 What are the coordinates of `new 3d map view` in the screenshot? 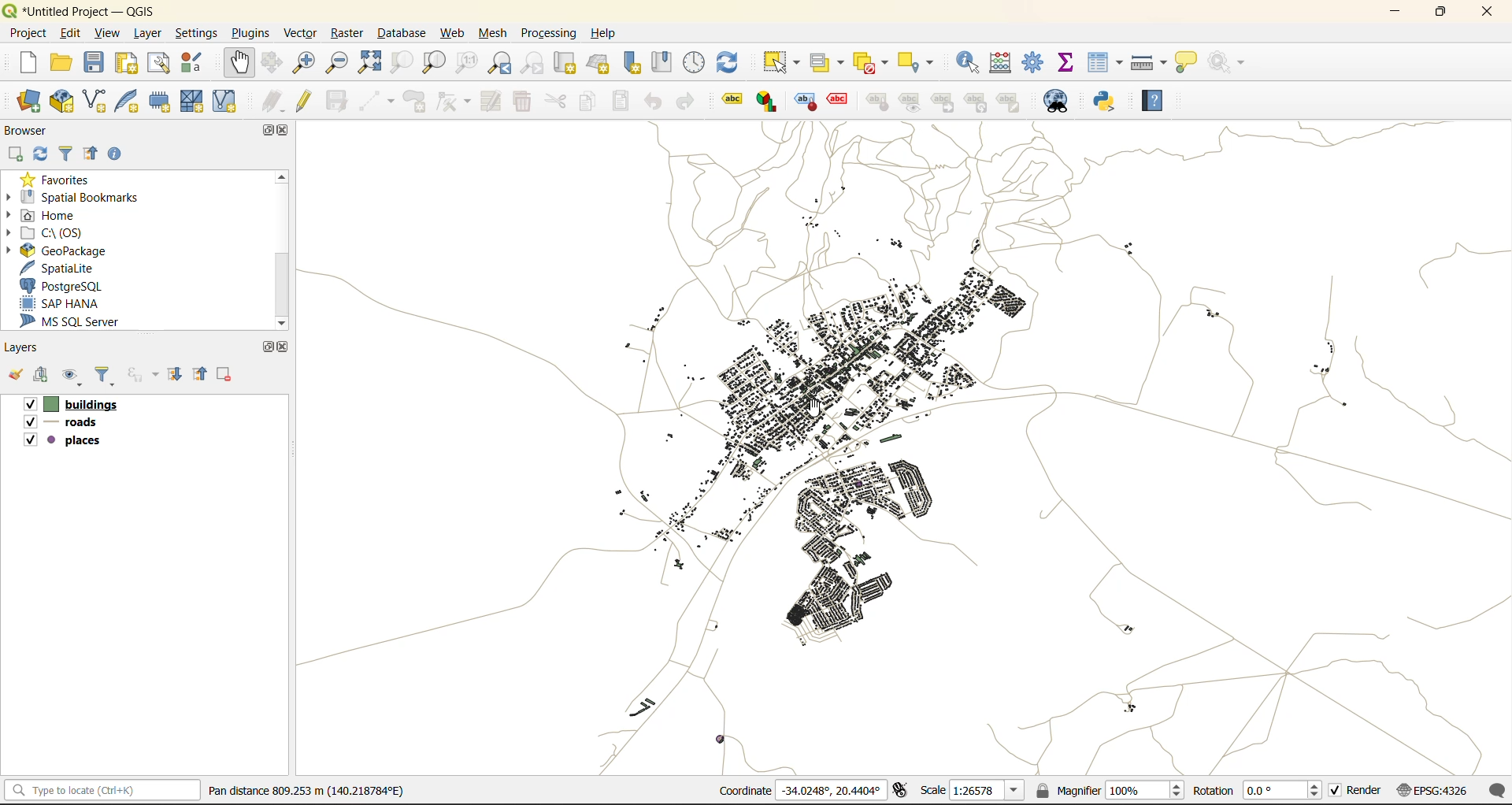 It's located at (602, 63).